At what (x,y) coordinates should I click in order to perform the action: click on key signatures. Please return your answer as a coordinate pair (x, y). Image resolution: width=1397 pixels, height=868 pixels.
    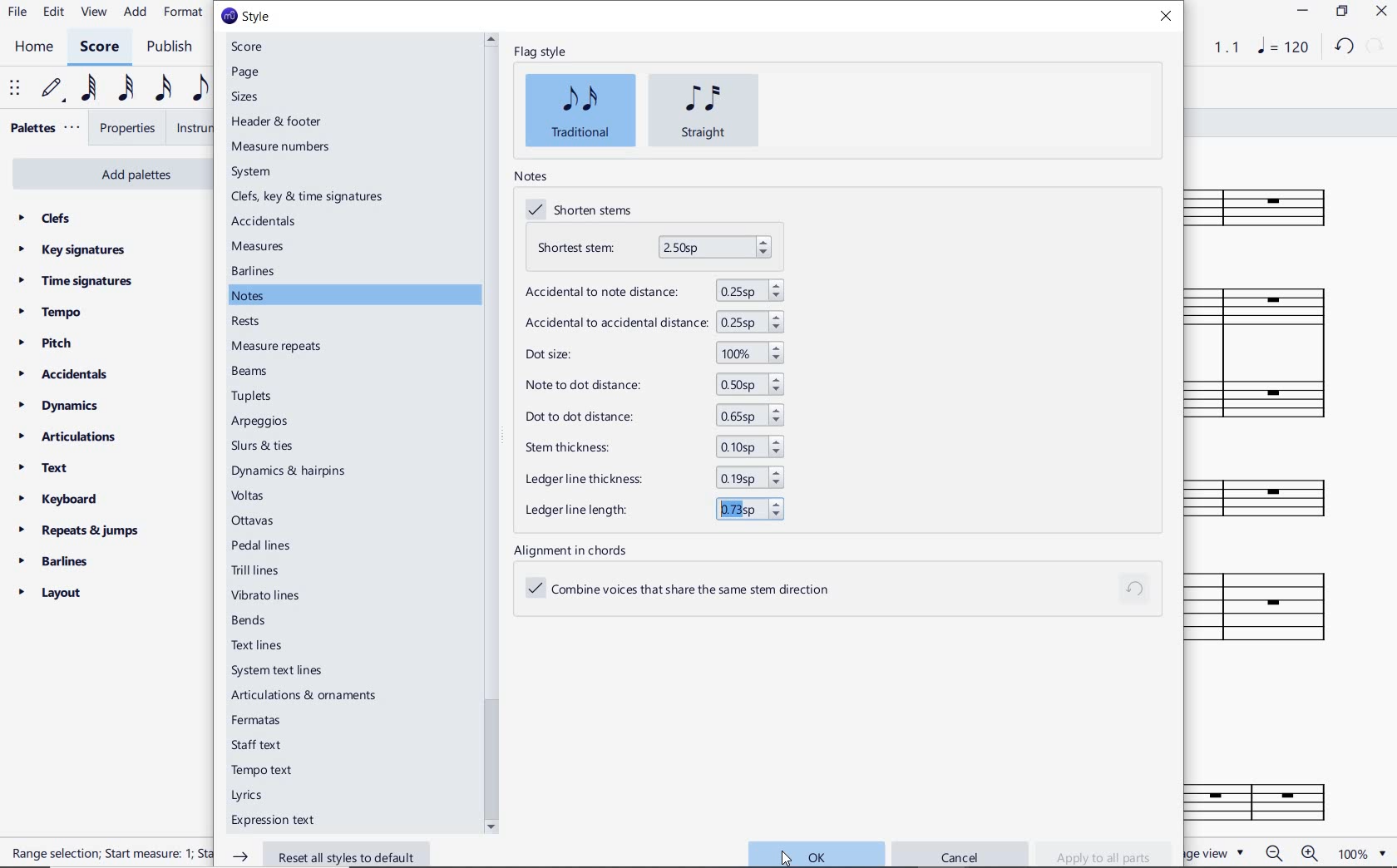
    Looking at the image, I should click on (72, 250).